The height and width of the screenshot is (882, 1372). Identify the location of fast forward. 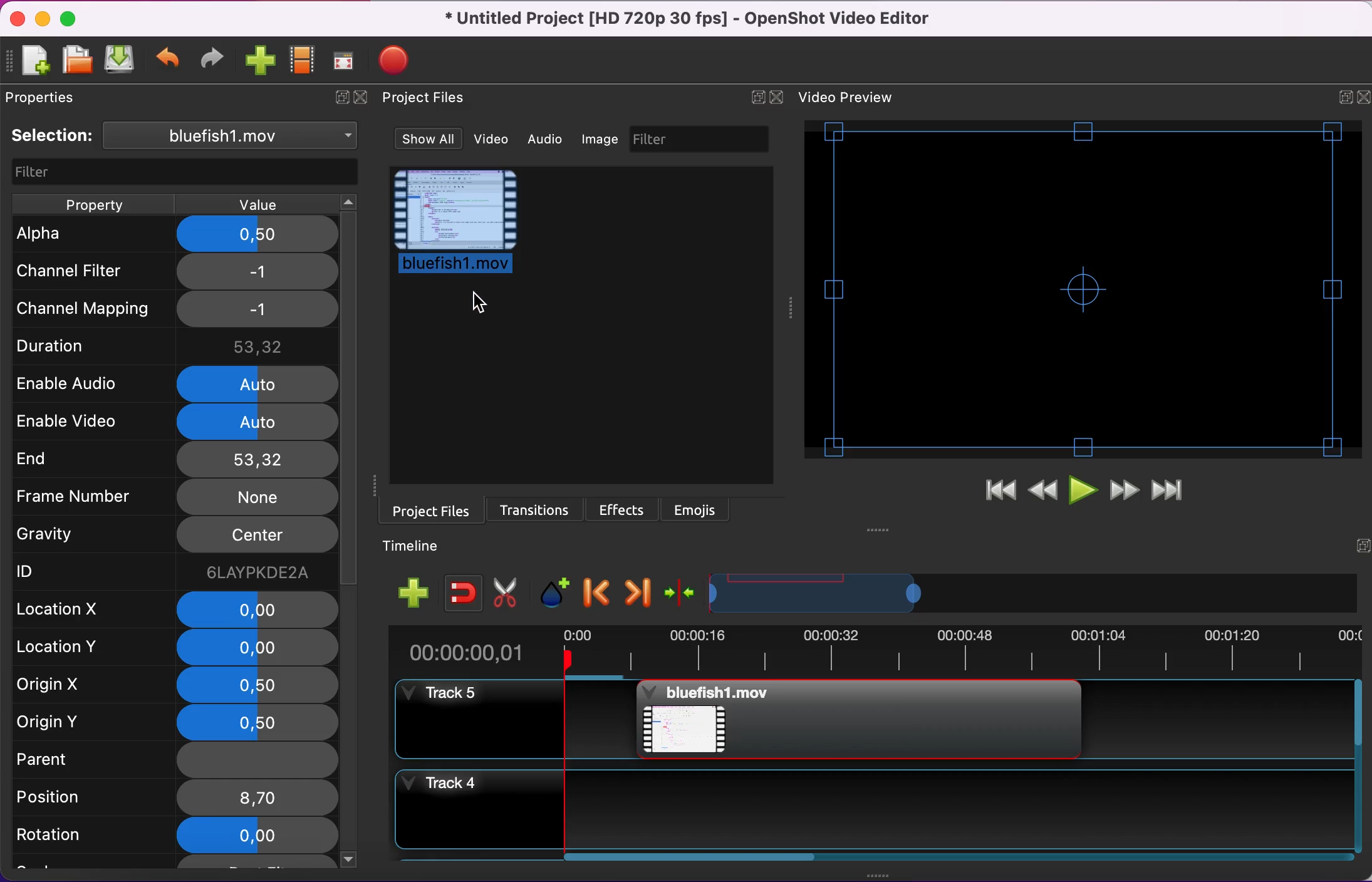
(1126, 490).